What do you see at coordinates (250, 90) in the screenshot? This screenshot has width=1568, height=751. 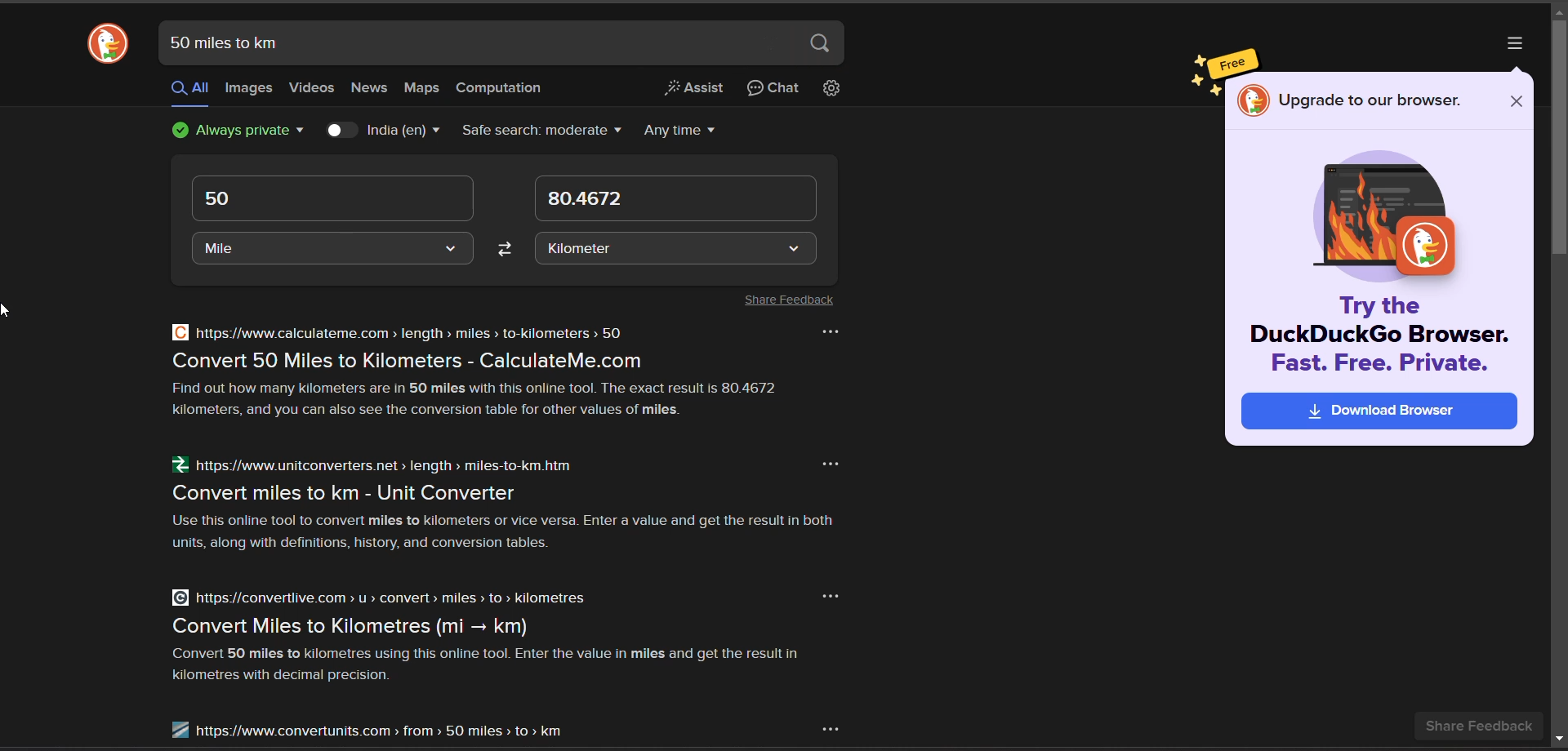 I see `images` at bounding box center [250, 90].